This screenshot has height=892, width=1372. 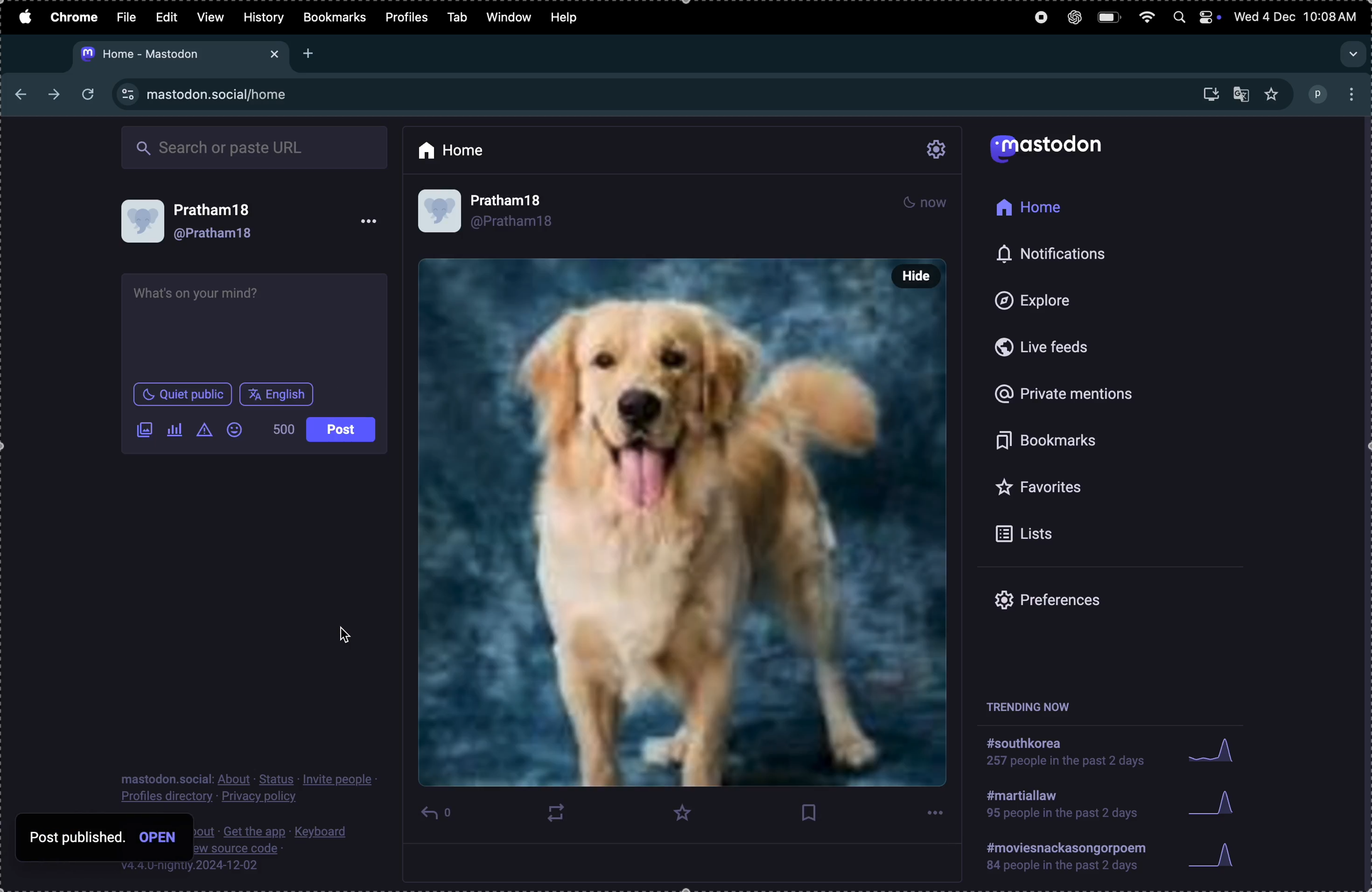 I want to click on previous tab, so click(x=25, y=95).